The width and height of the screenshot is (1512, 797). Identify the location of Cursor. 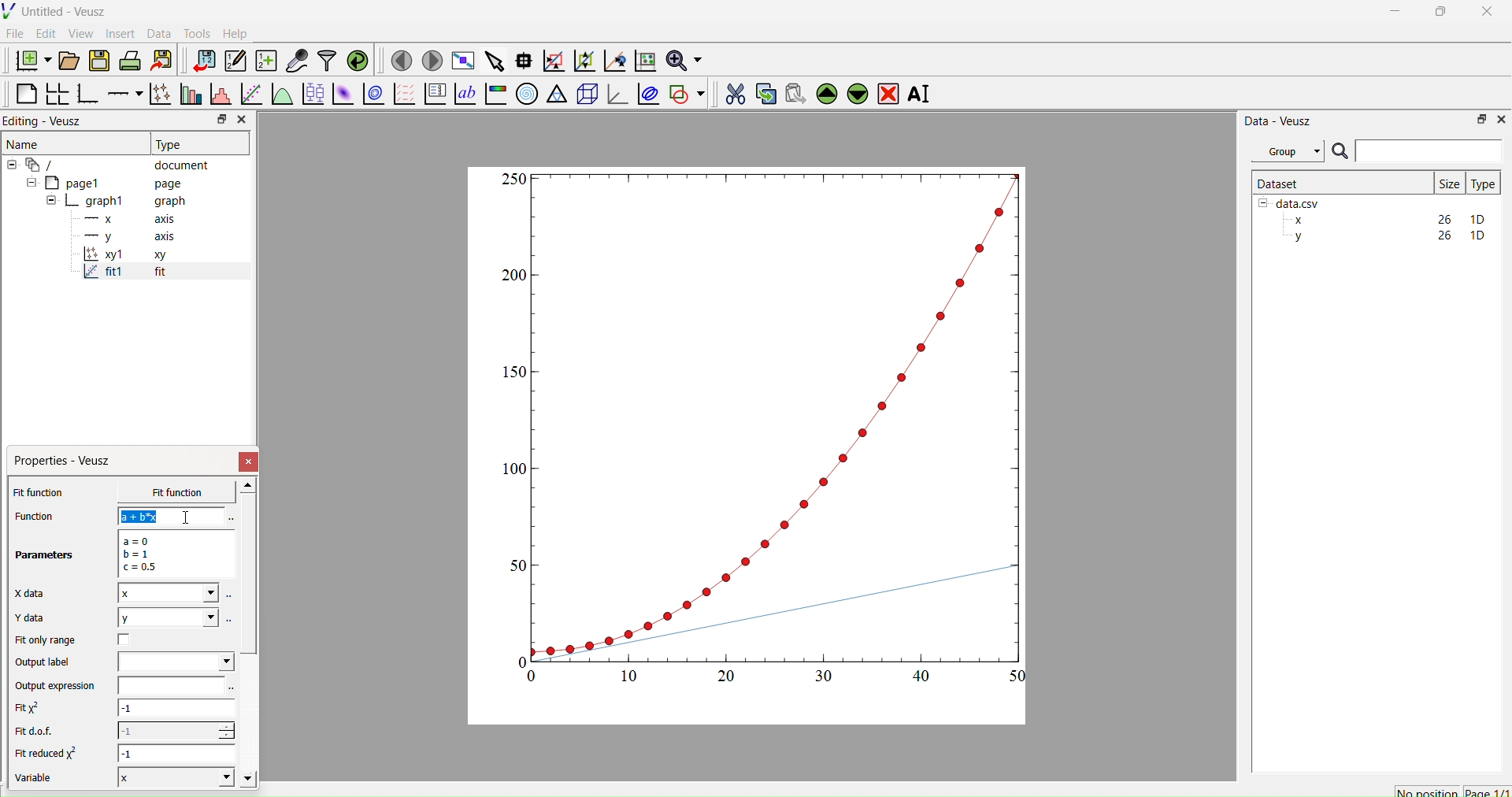
(189, 518).